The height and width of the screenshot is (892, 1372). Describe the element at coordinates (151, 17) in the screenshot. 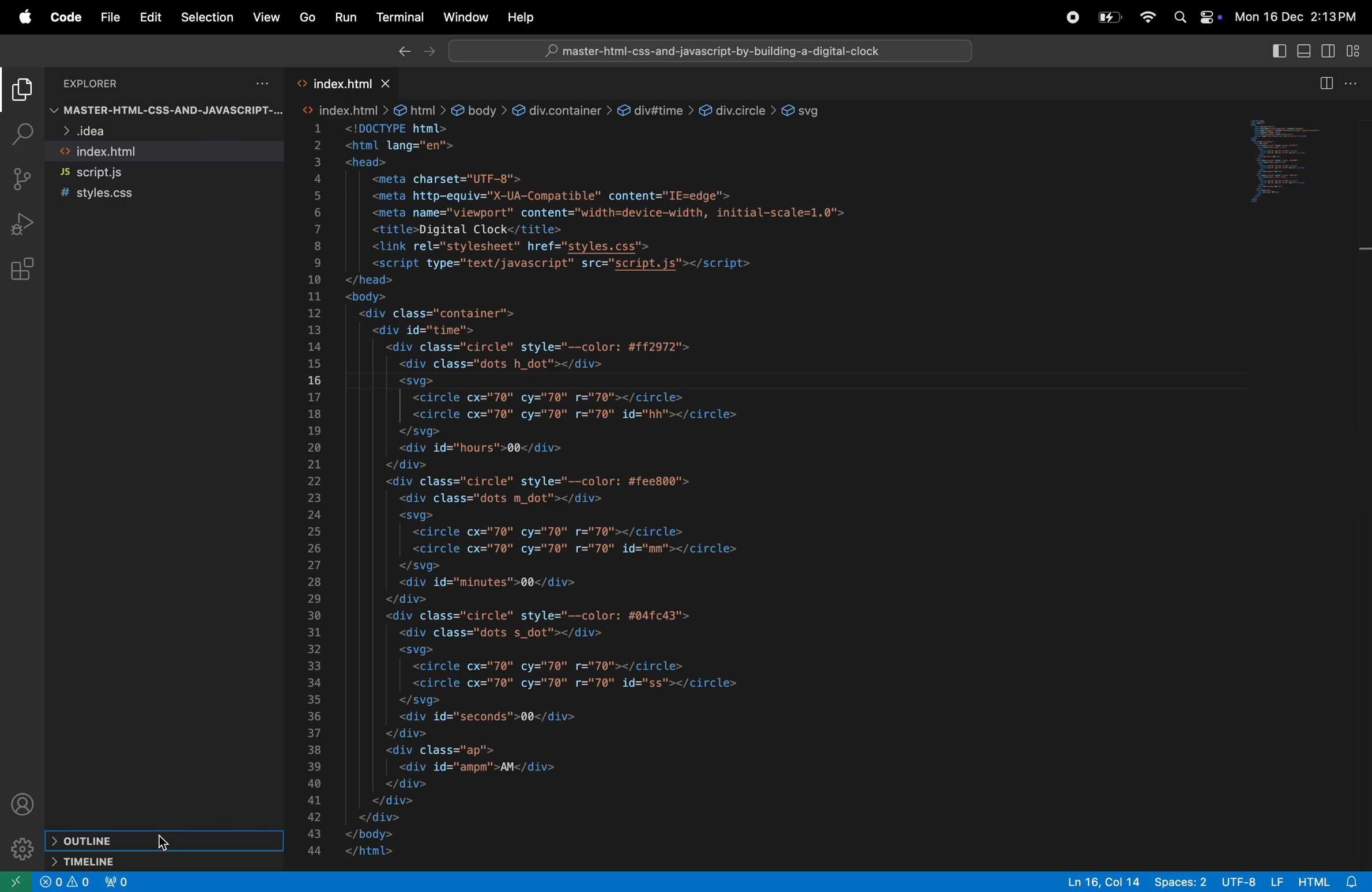

I see `Edit` at that location.